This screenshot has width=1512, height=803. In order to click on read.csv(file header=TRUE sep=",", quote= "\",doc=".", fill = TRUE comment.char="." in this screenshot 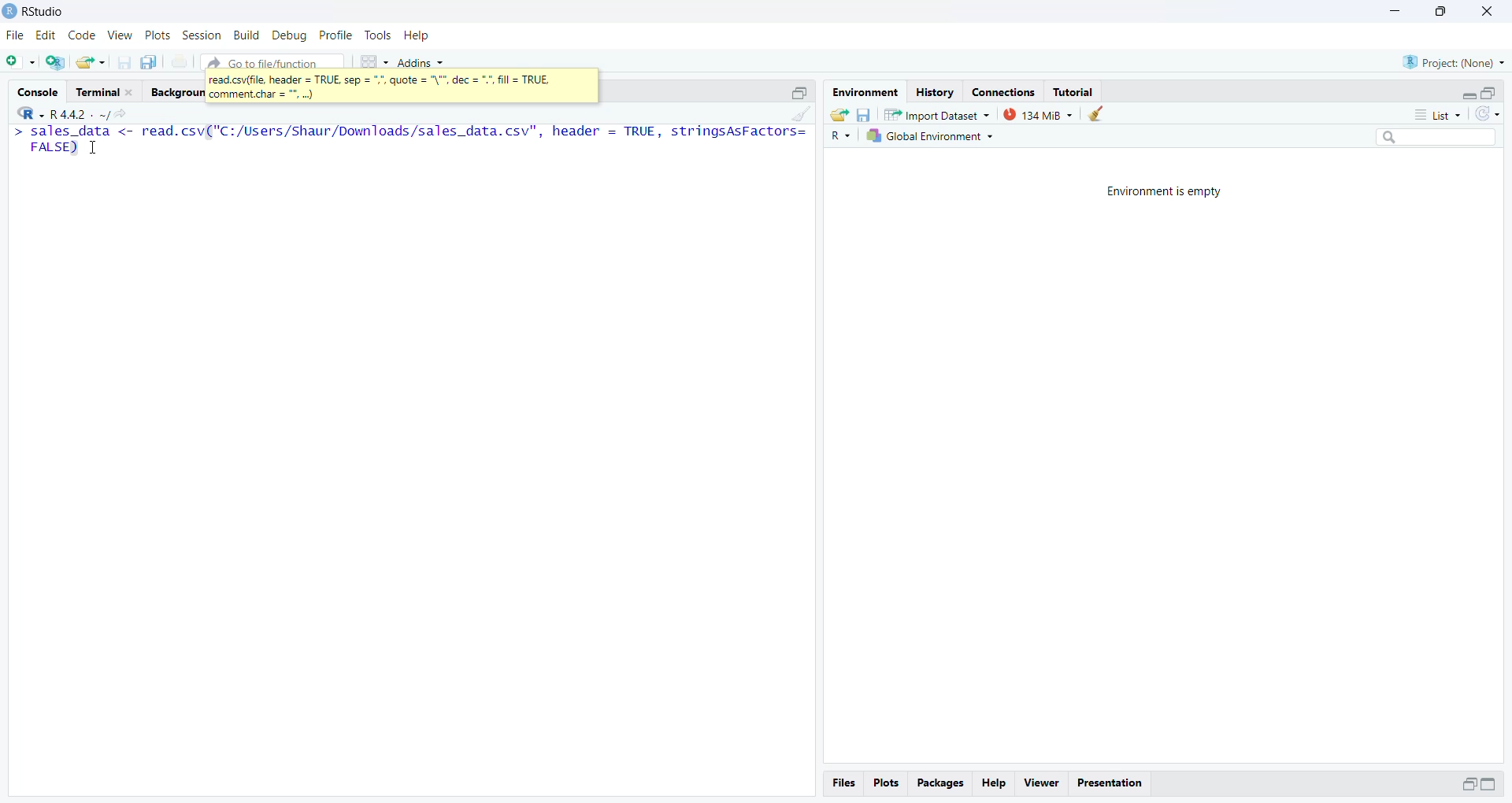, I will do `click(405, 87)`.